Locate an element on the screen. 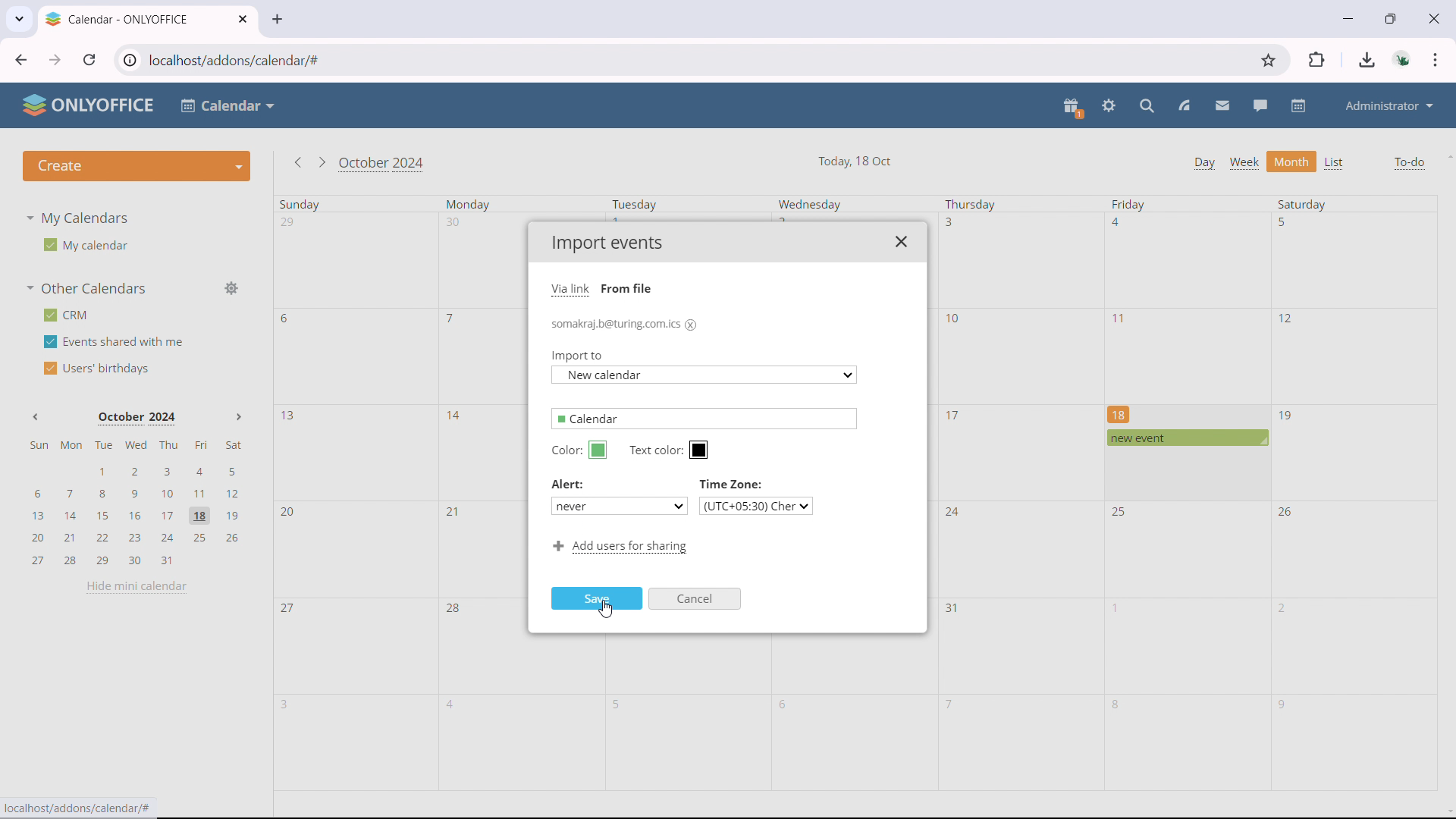 The image size is (1456, 819). Calendar is located at coordinates (229, 105).